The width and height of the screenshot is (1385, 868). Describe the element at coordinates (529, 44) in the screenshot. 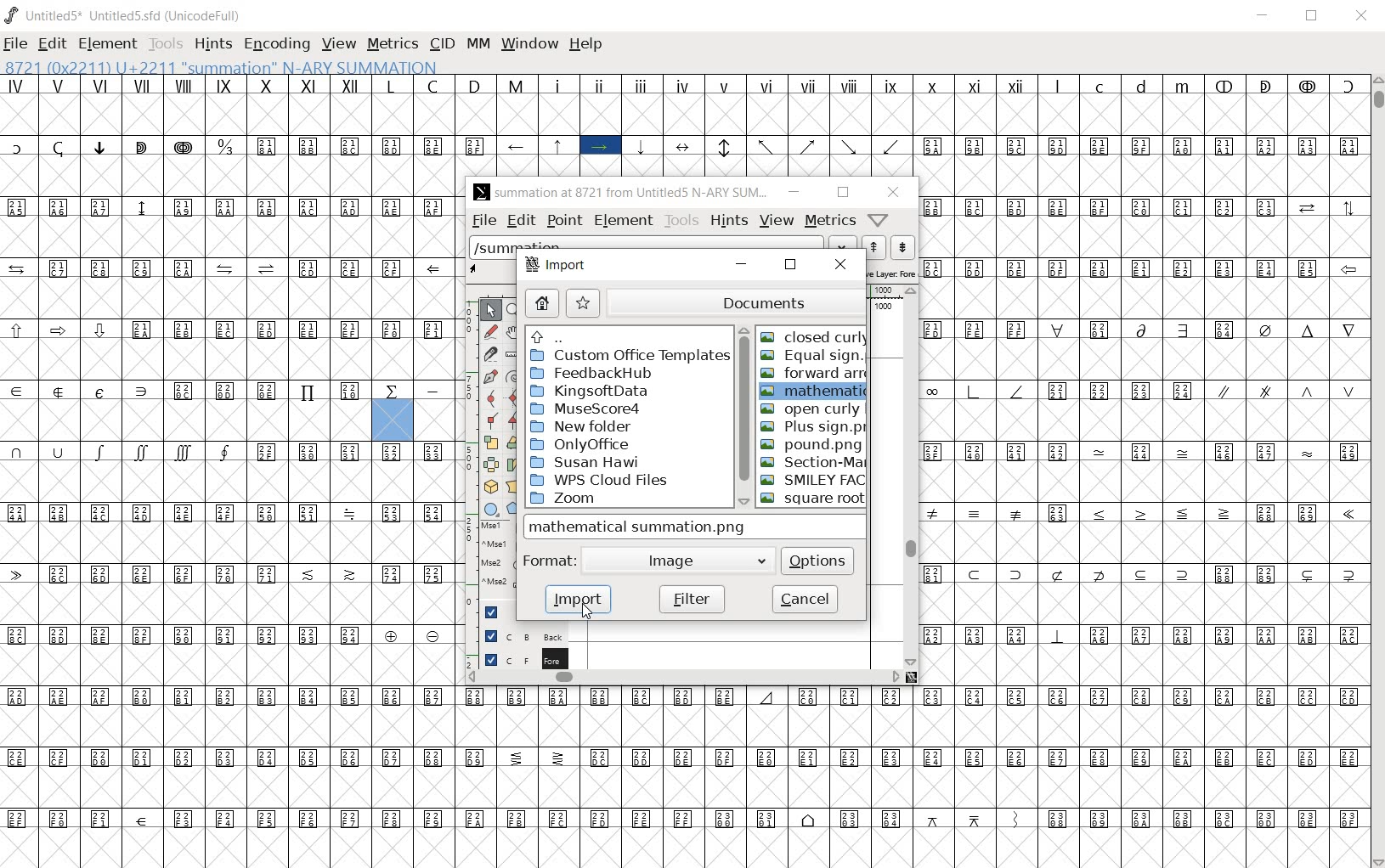

I see `WINDOW` at that location.